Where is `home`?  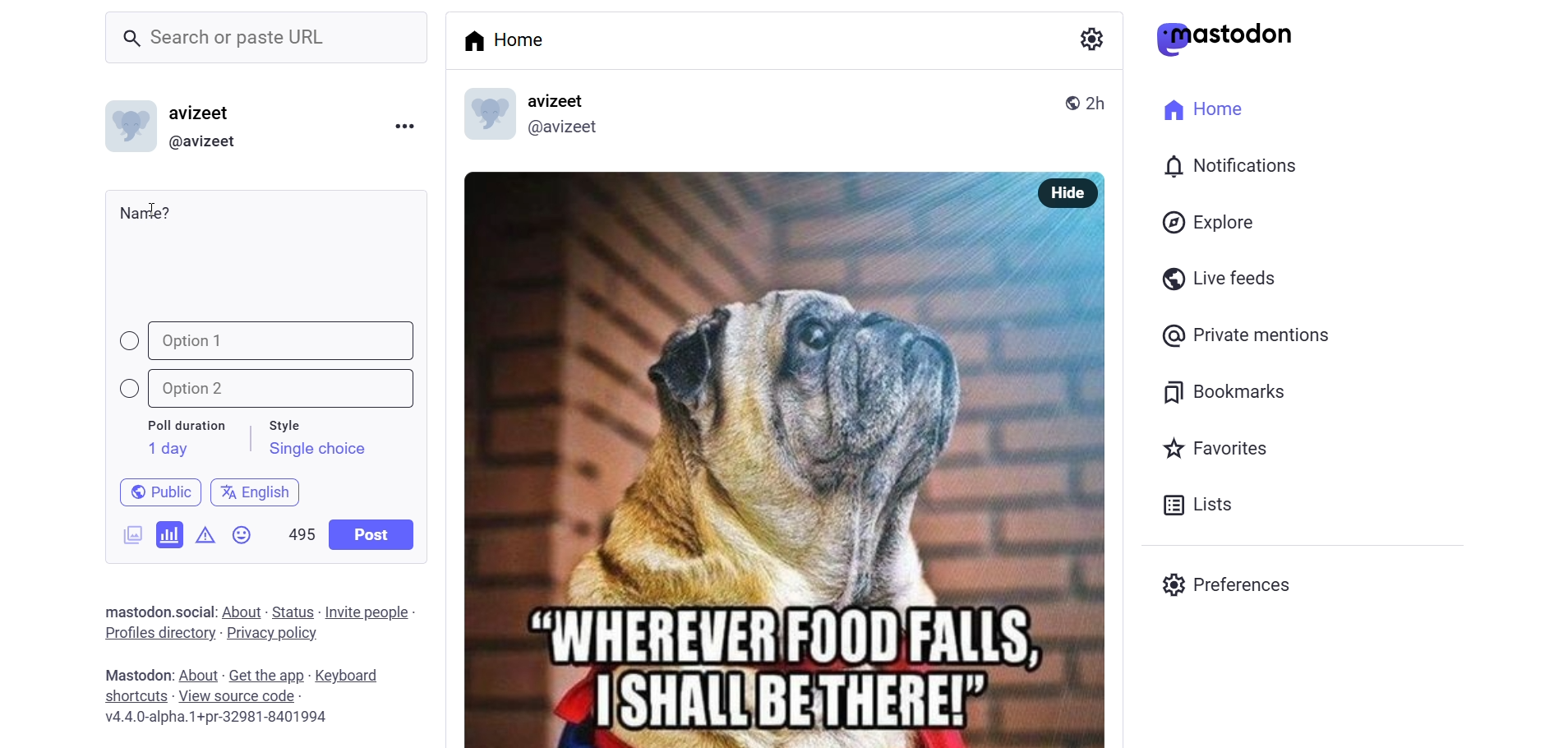
home is located at coordinates (510, 39).